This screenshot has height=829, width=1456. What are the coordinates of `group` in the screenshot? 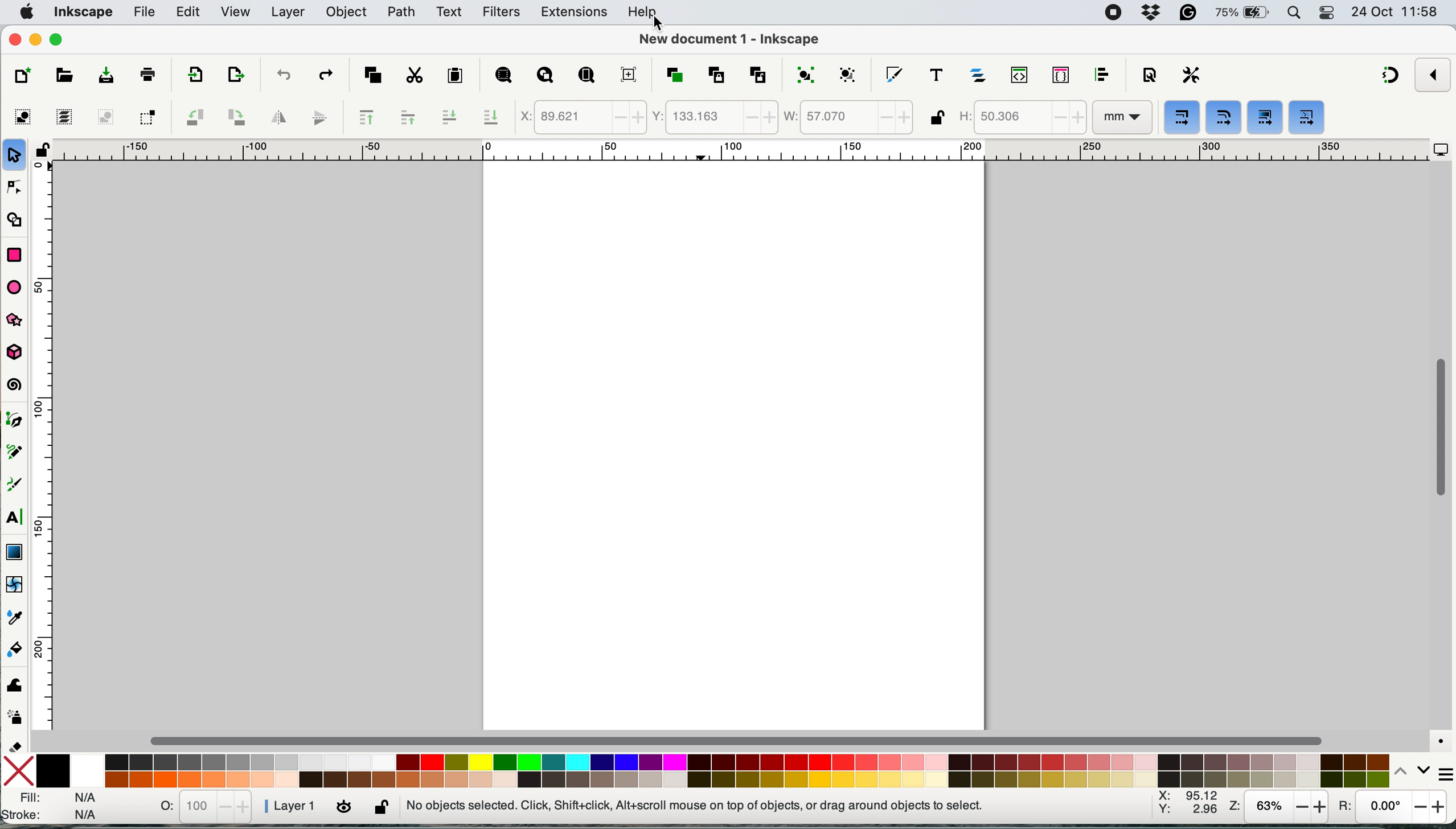 It's located at (803, 77).